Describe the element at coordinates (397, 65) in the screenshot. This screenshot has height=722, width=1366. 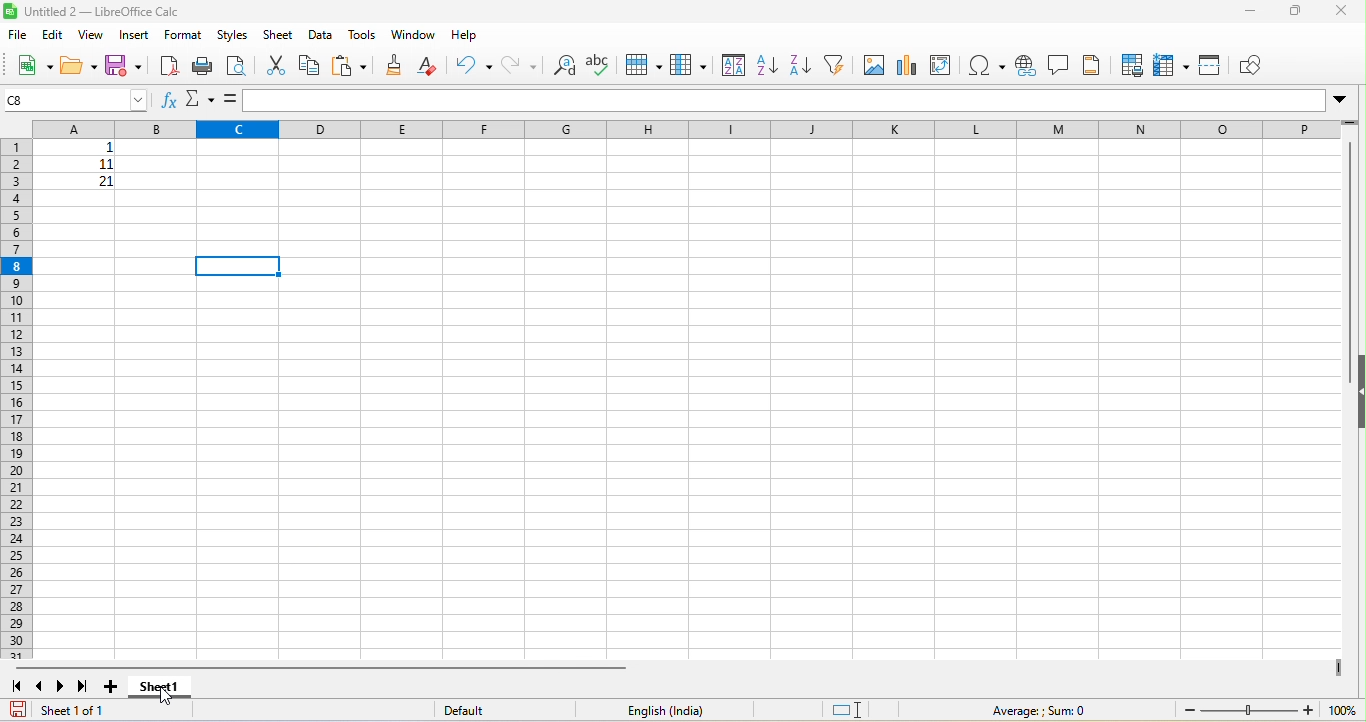
I see `clone` at that location.